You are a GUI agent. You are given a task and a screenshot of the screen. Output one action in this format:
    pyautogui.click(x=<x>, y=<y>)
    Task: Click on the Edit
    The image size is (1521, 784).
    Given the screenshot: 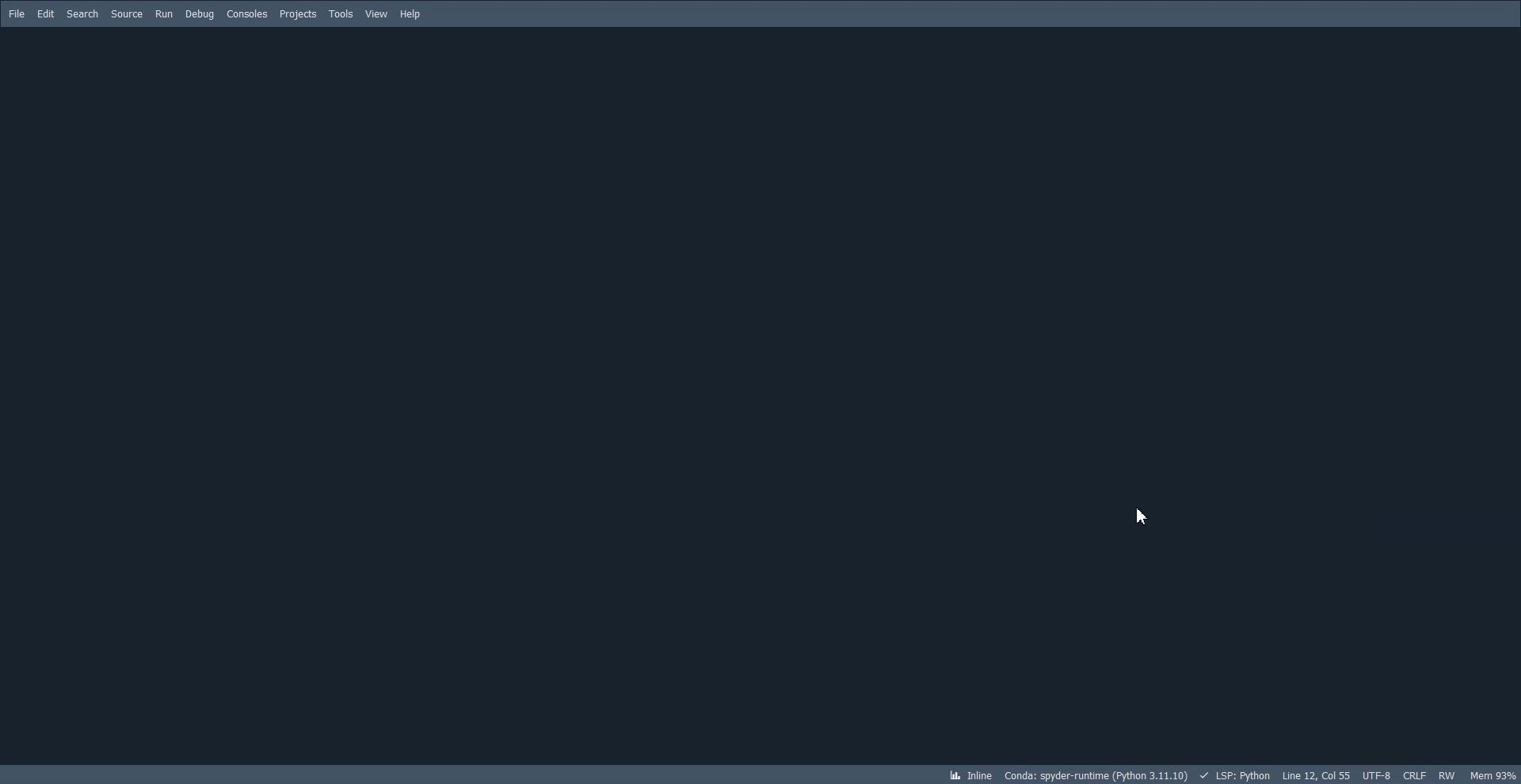 What is the action you would take?
    pyautogui.click(x=46, y=14)
    